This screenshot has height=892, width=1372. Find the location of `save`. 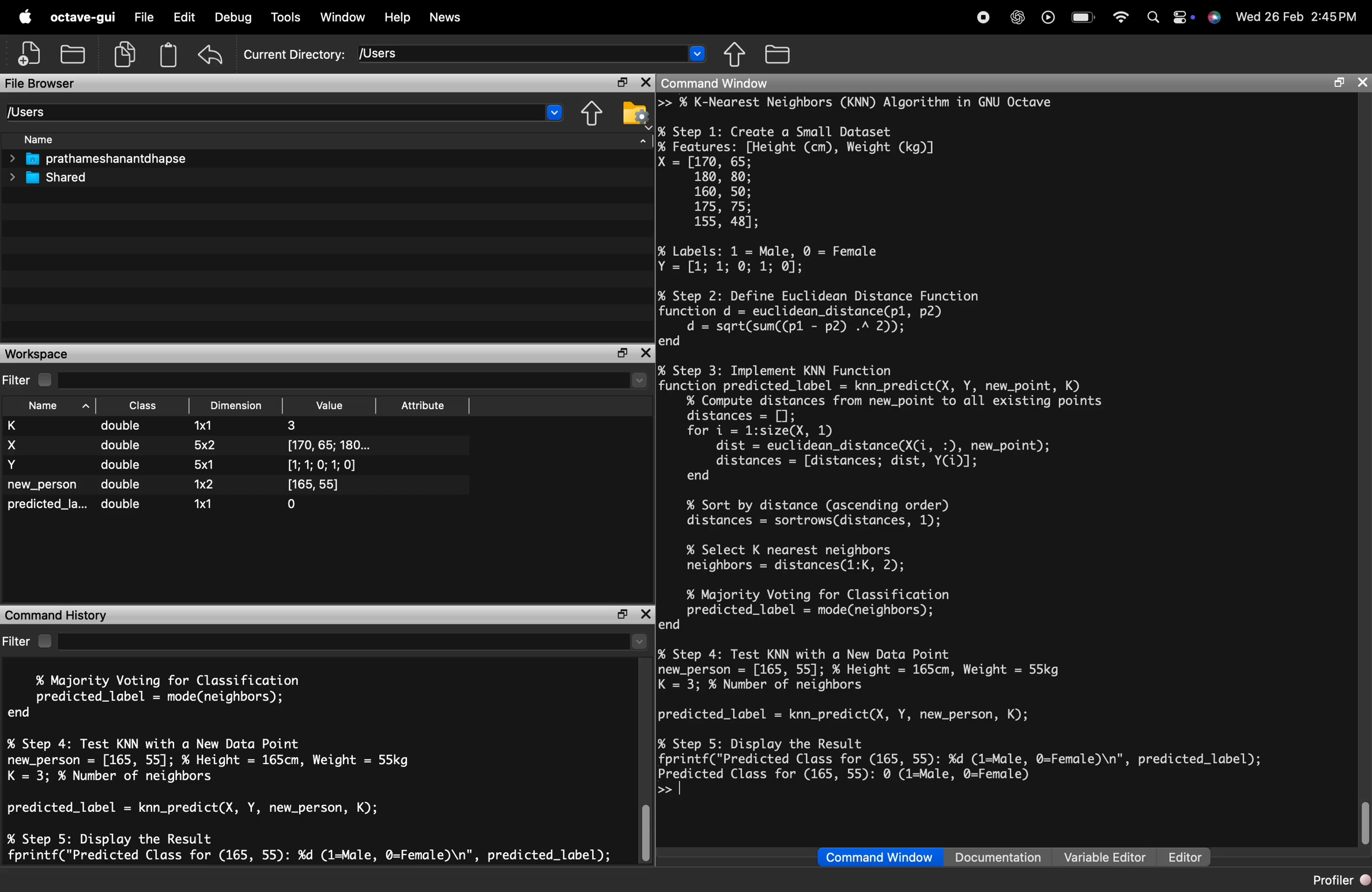

save is located at coordinates (76, 52).